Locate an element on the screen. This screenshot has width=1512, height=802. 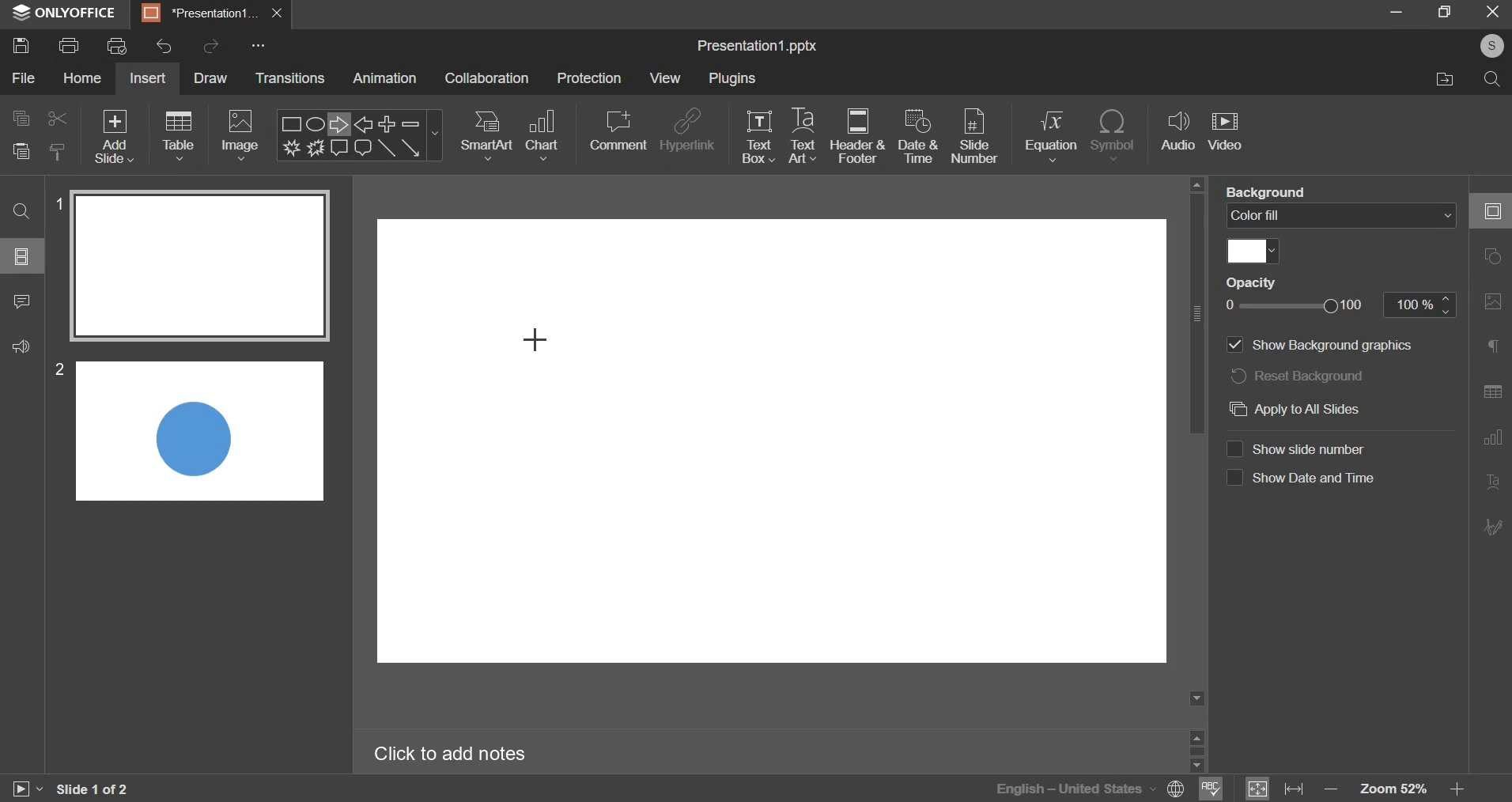
draw is located at coordinates (210, 78).